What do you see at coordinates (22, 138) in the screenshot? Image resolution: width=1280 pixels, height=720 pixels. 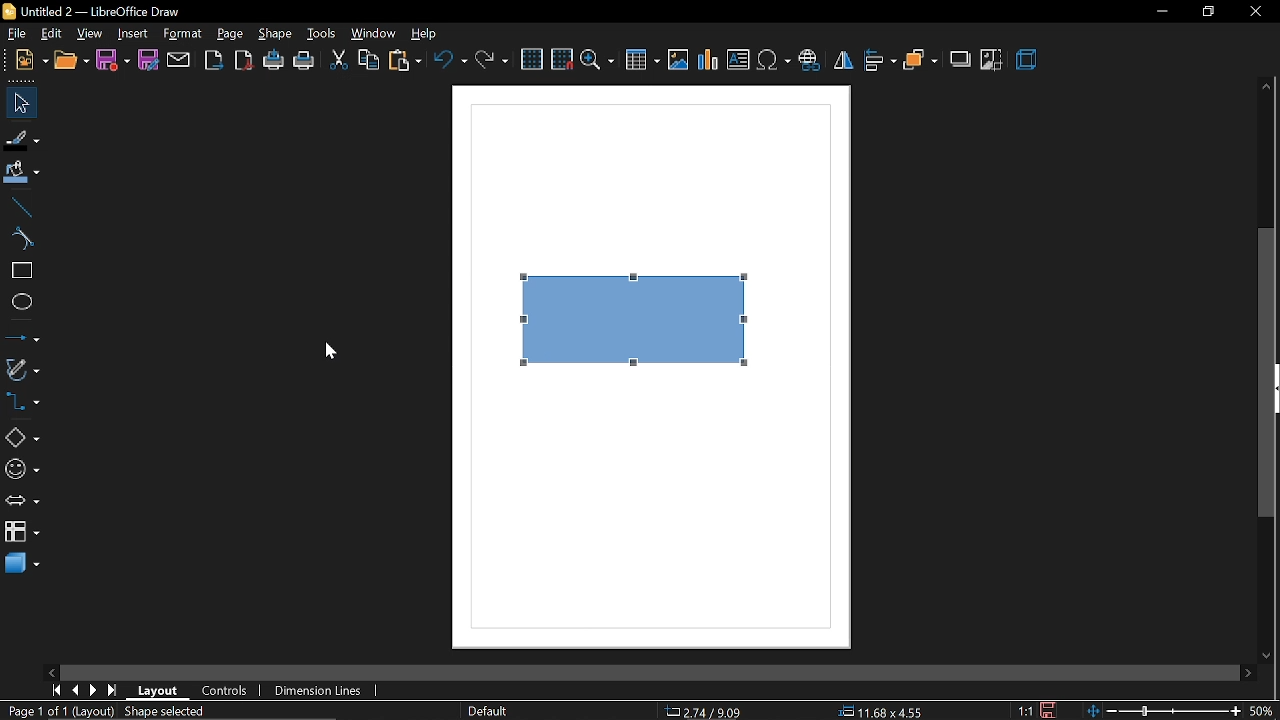 I see `fill line` at bounding box center [22, 138].